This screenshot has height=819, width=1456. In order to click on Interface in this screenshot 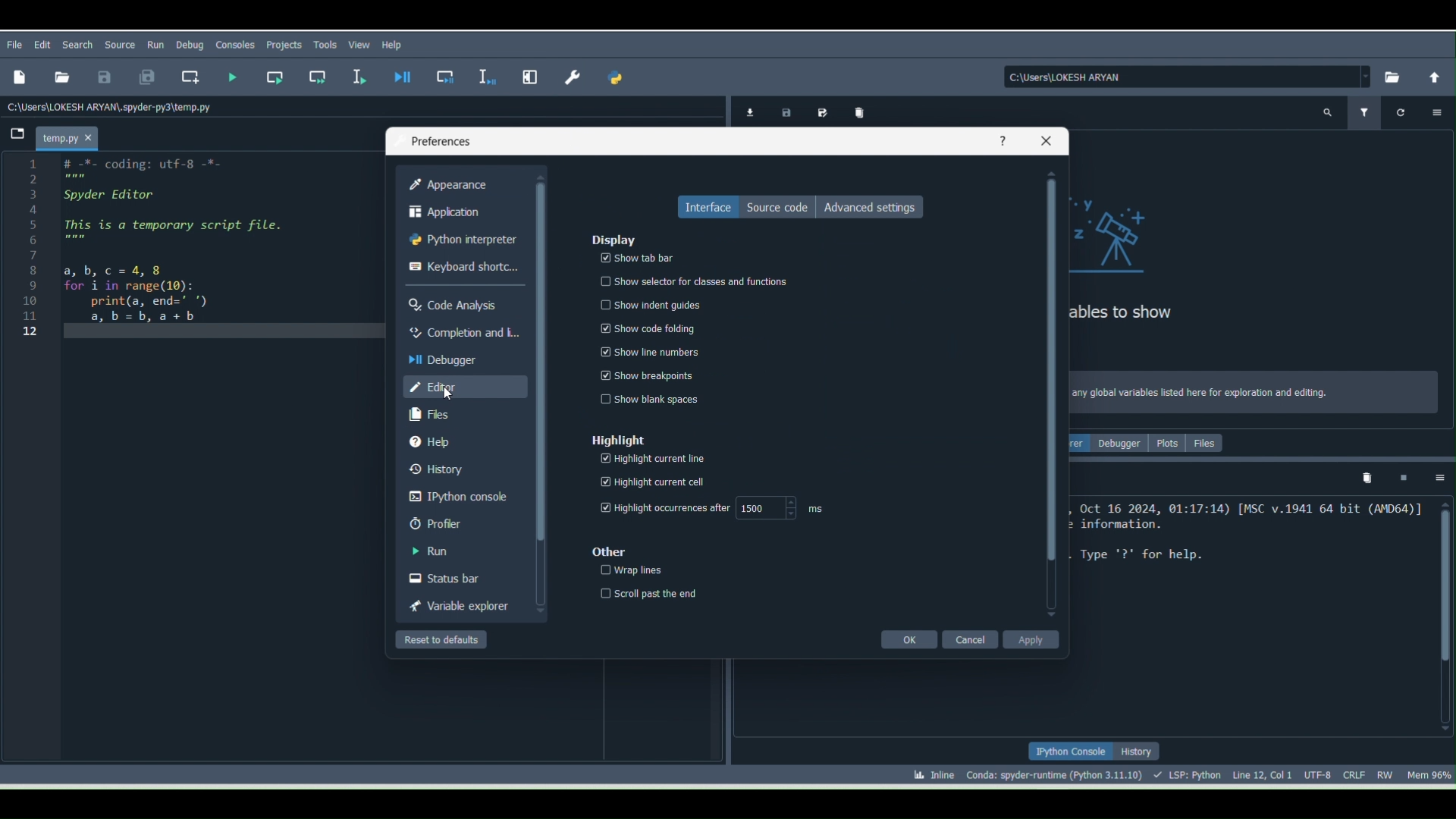, I will do `click(701, 206)`.